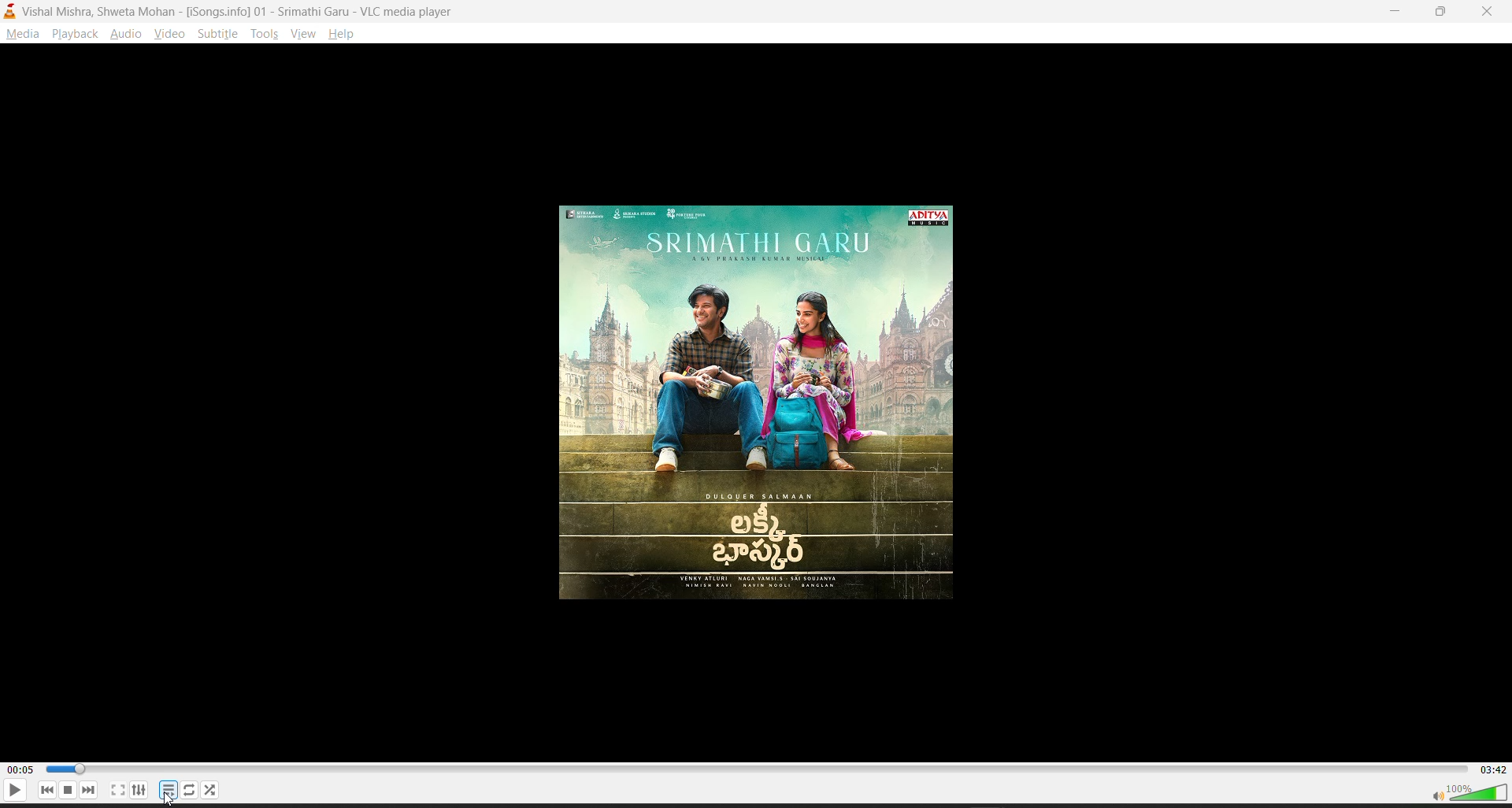 The image size is (1512, 808). What do you see at coordinates (1395, 11) in the screenshot?
I see `Minimize` at bounding box center [1395, 11].